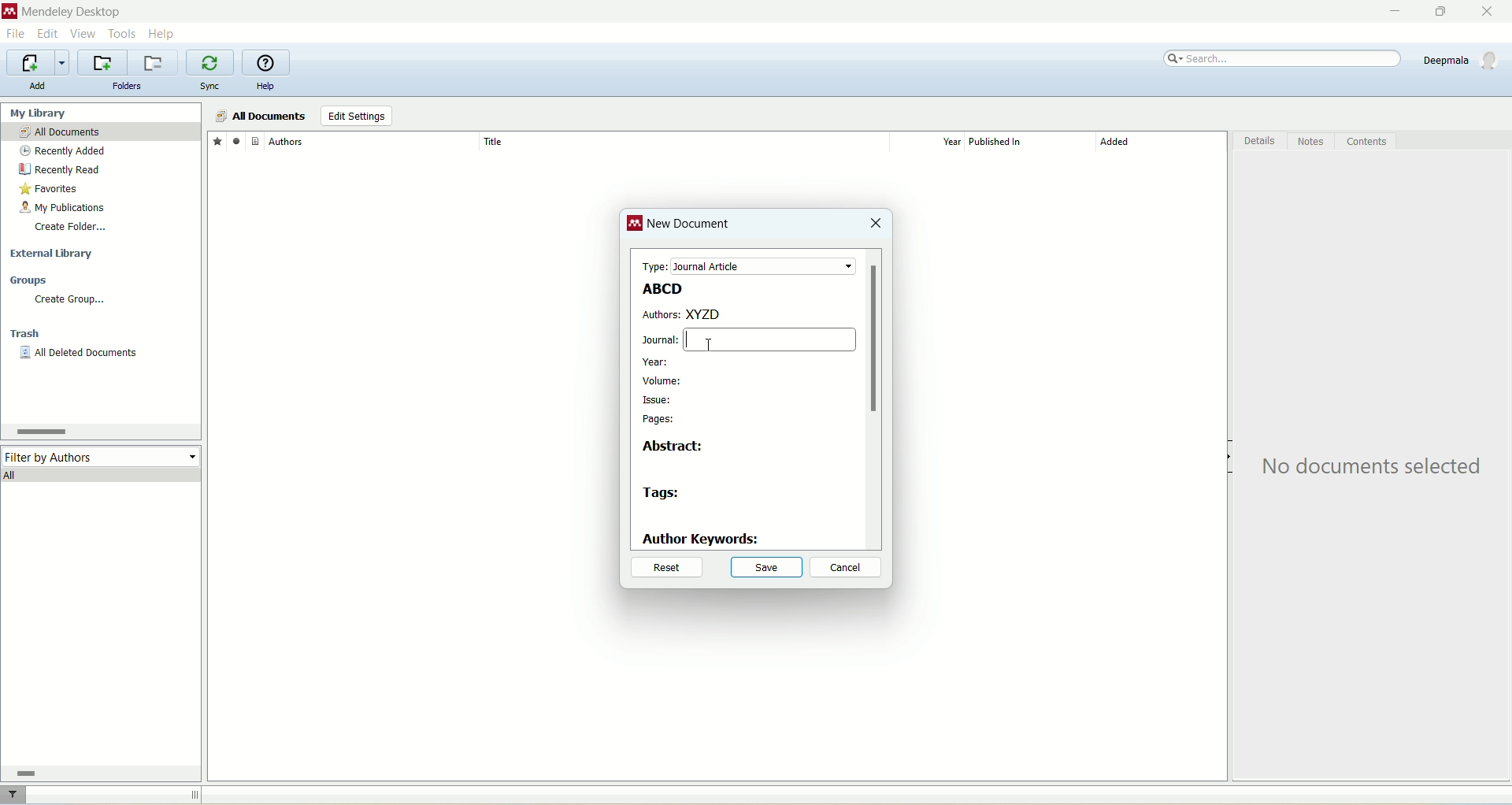 The height and width of the screenshot is (805, 1512). What do you see at coordinates (743, 272) in the screenshot?
I see `test` at bounding box center [743, 272].